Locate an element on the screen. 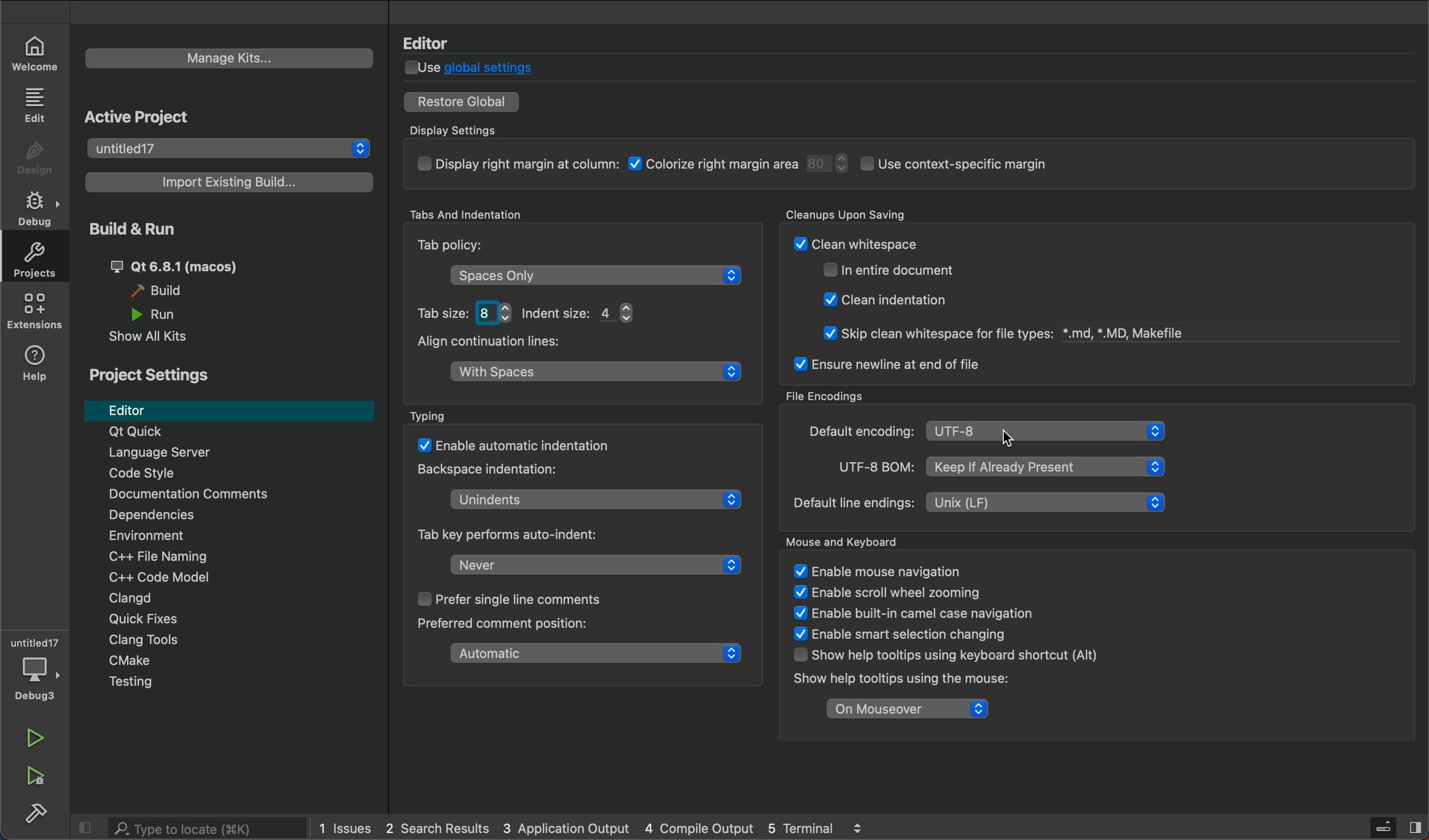  show all kits is located at coordinates (151, 340).